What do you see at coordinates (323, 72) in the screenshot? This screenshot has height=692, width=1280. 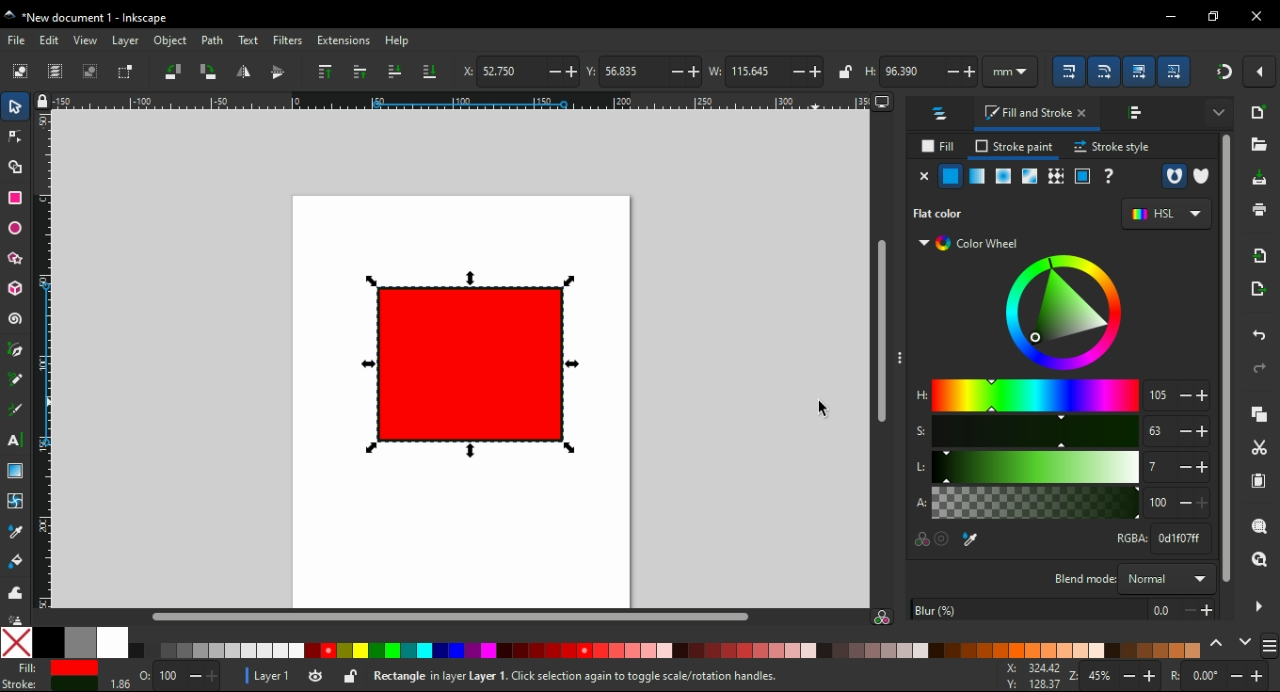 I see `raise to top` at bounding box center [323, 72].